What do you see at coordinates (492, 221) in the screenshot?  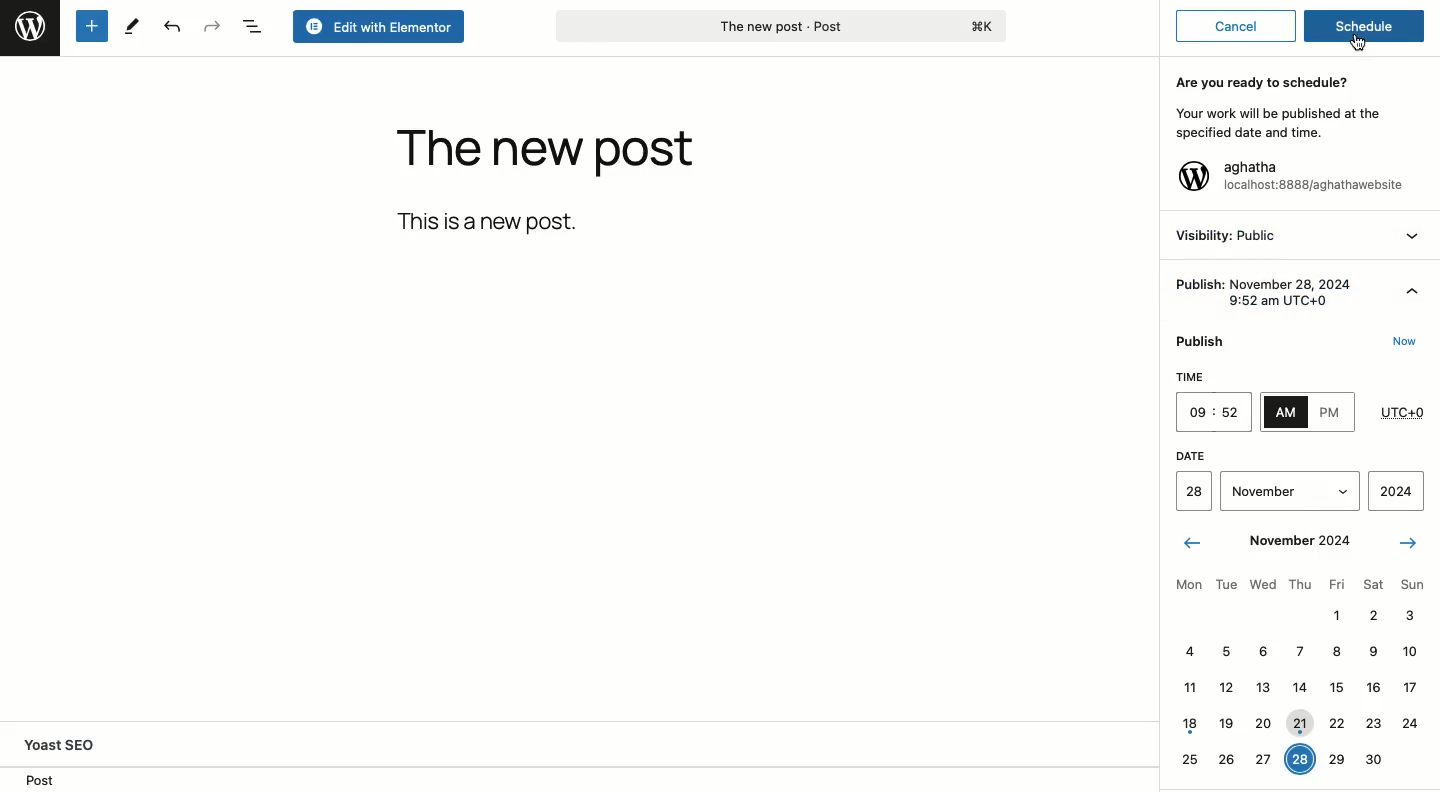 I see `This is a new post.` at bounding box center [492, 221].